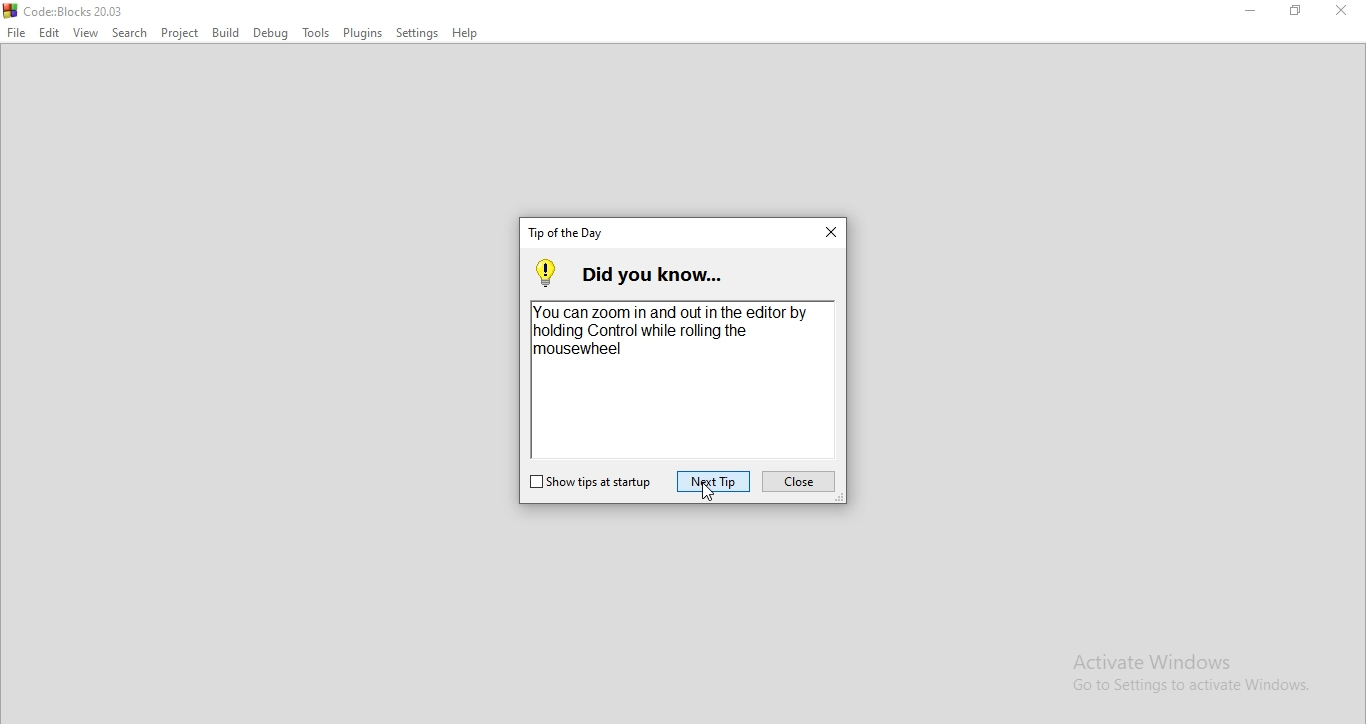 The height and width of the screenshot is (724, 1366). I want to click on Tools , so click(316, 31).